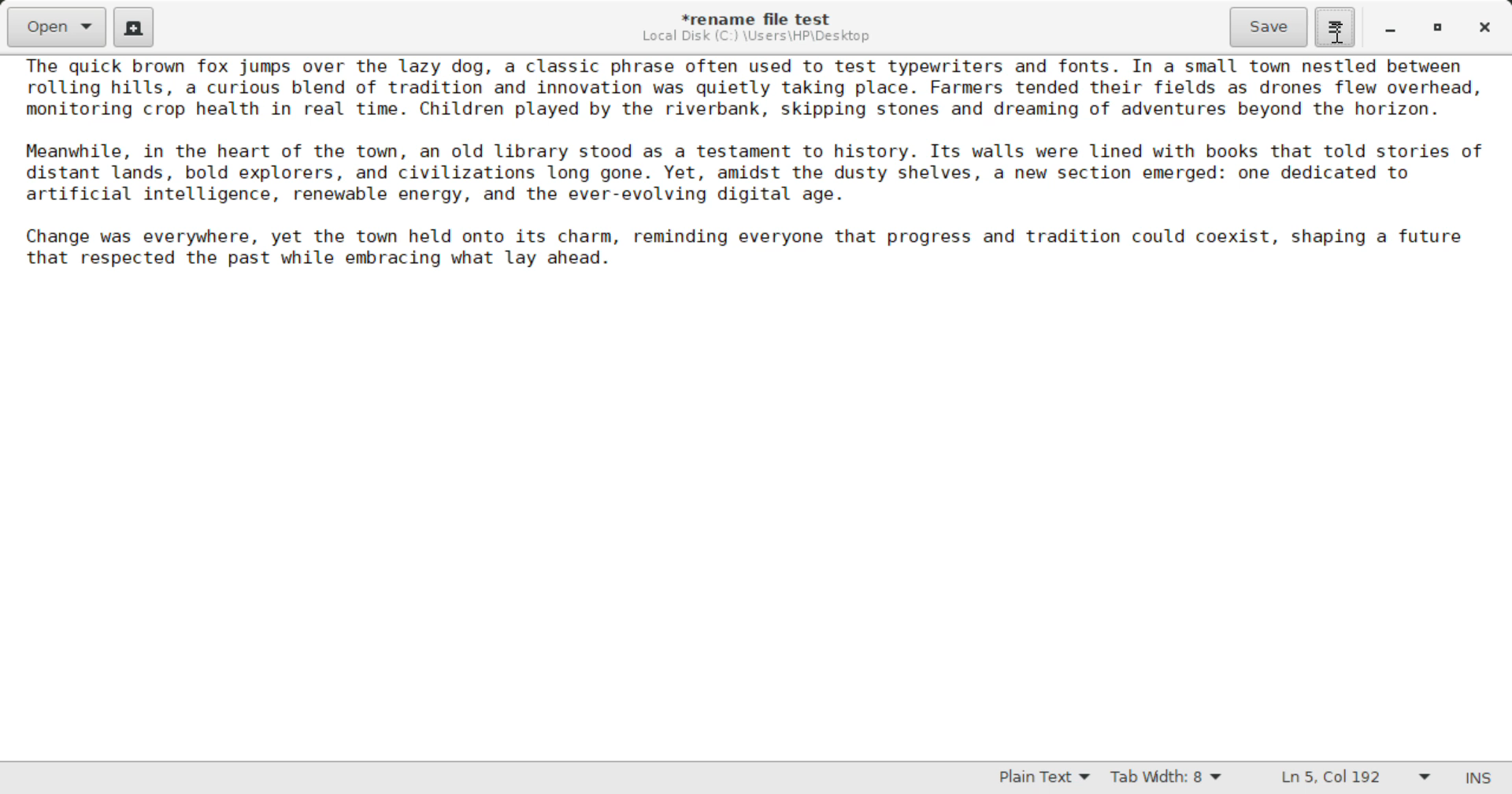 This screenshot has height=794, width=1512. What do you see at coordinates (1336, 32) in the screenshot?
I see `Cursor Position` at bounding box center [1336, 32].